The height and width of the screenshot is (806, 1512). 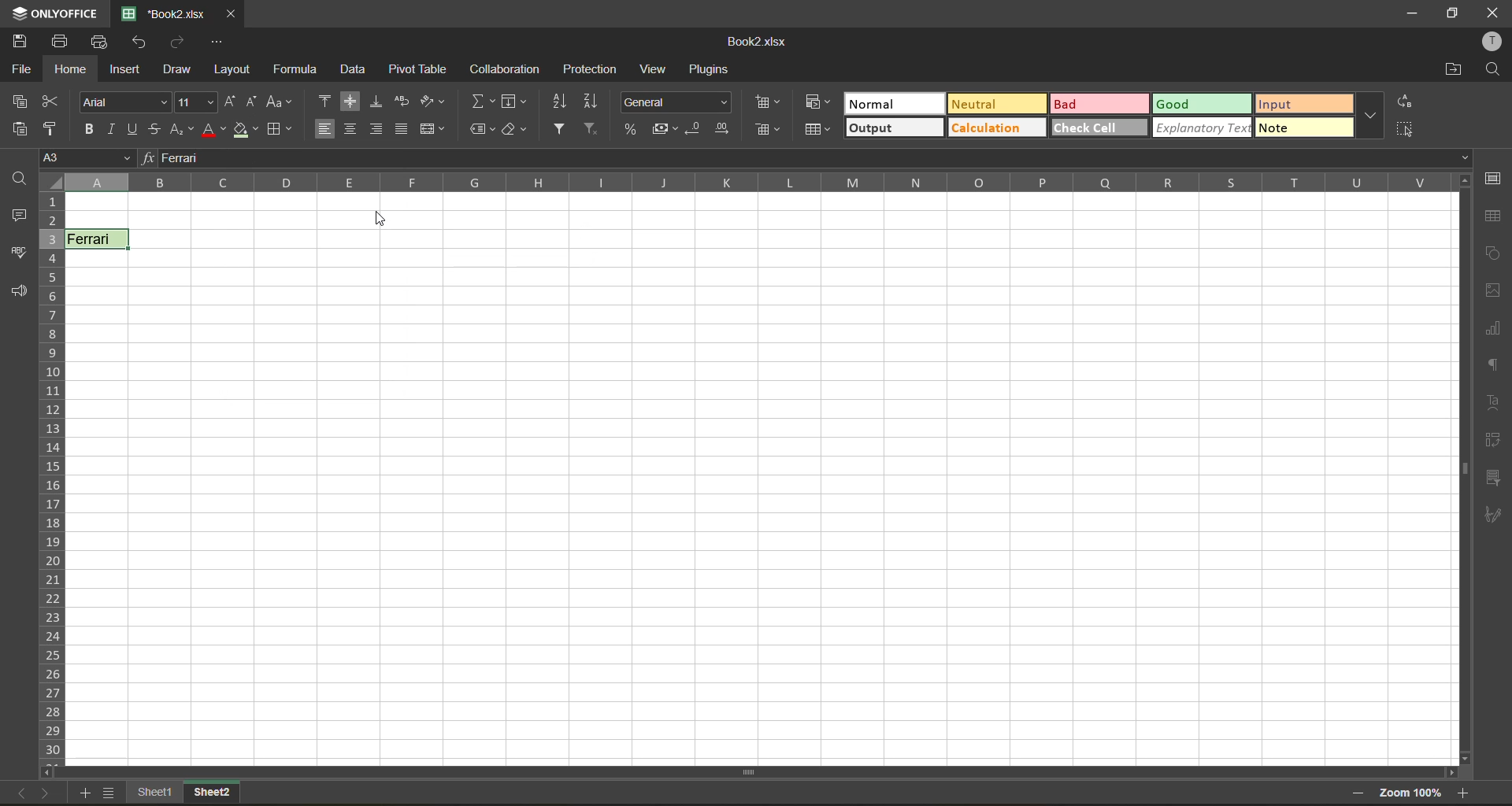 I want to click on home, so click(x=72, y=69).